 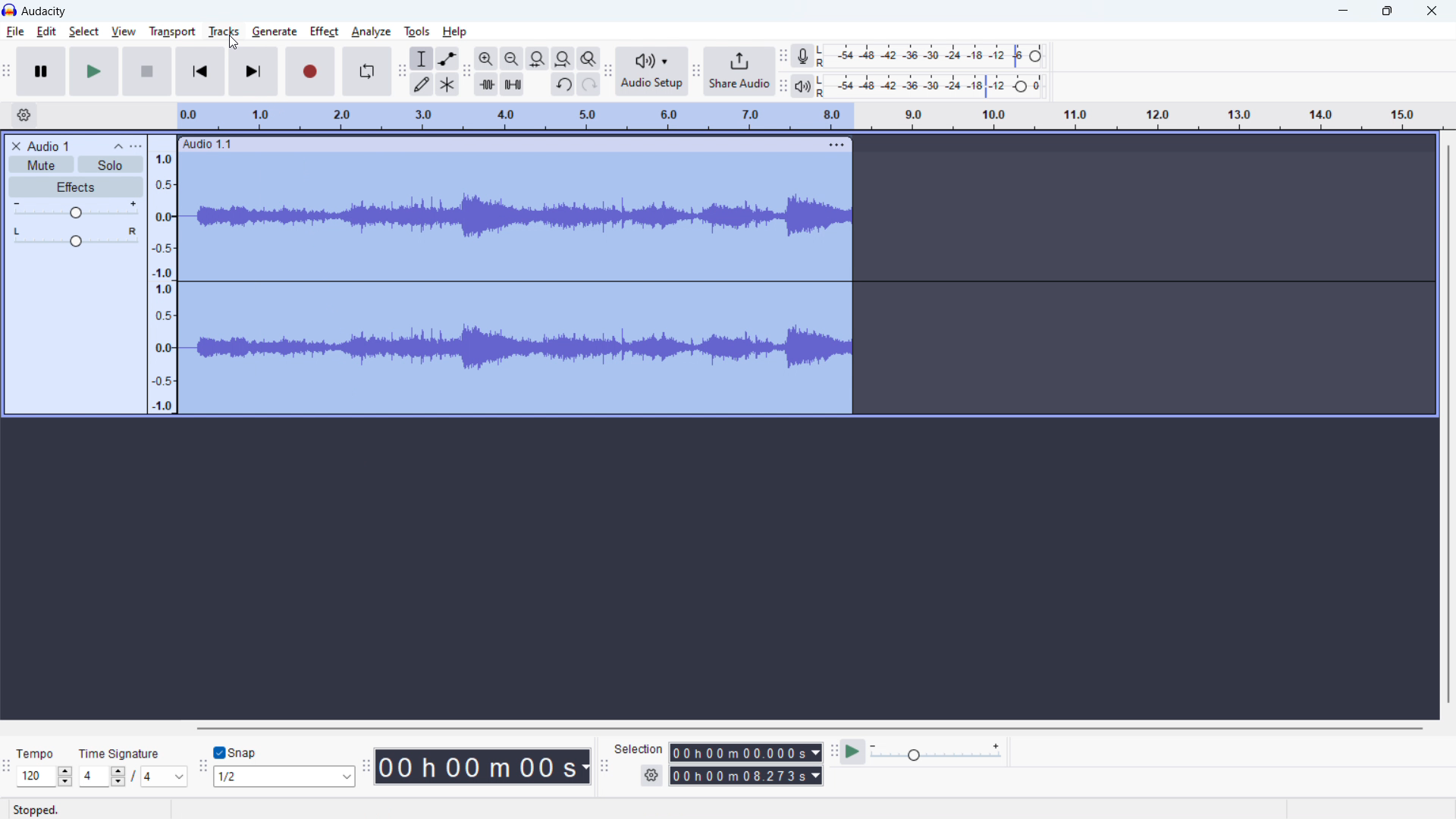 I want to click on Tempo, so click(x=36, y=752).